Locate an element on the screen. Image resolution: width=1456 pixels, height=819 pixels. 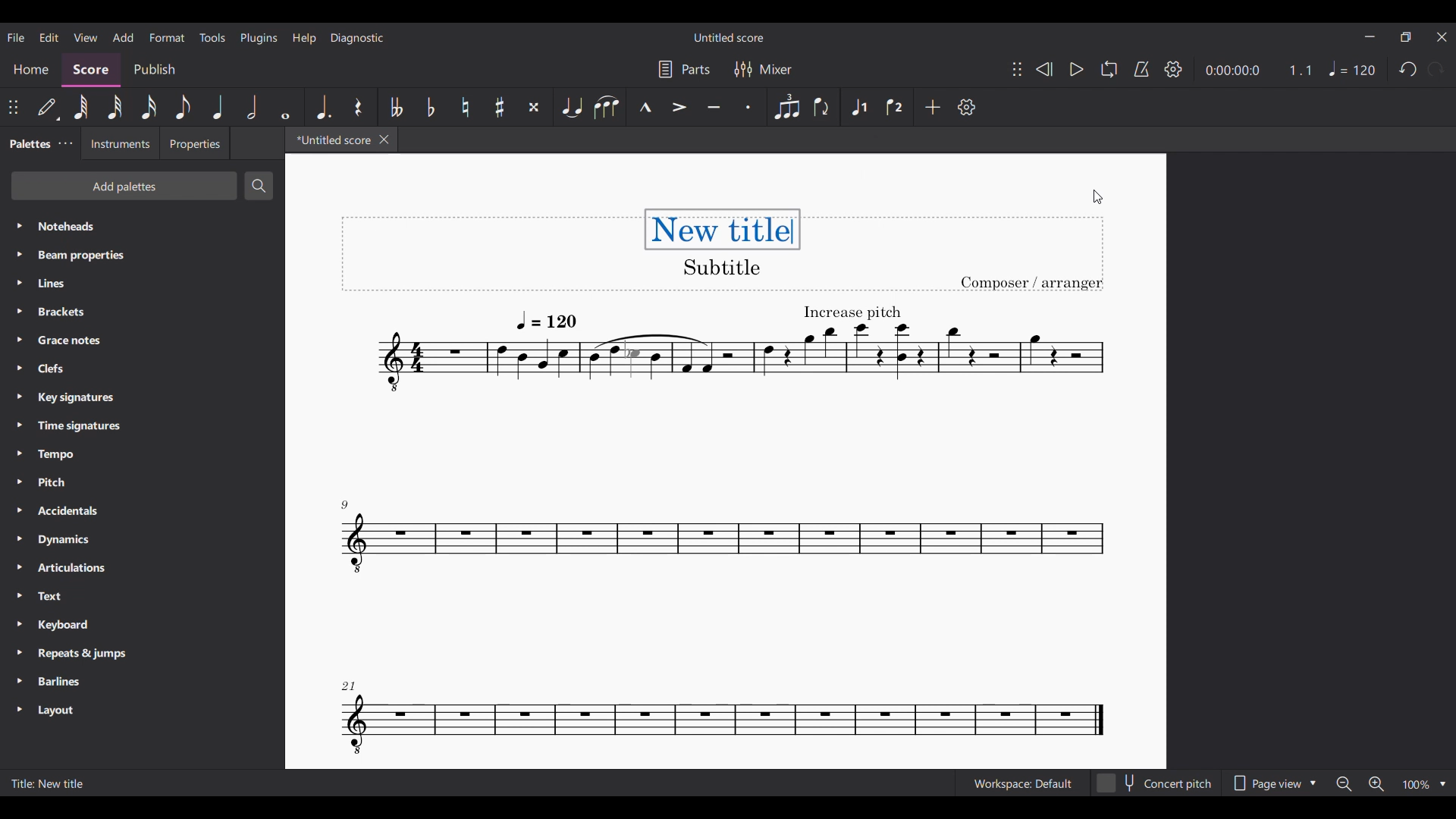
Toggle sharp is located at coordinates (500, 106).